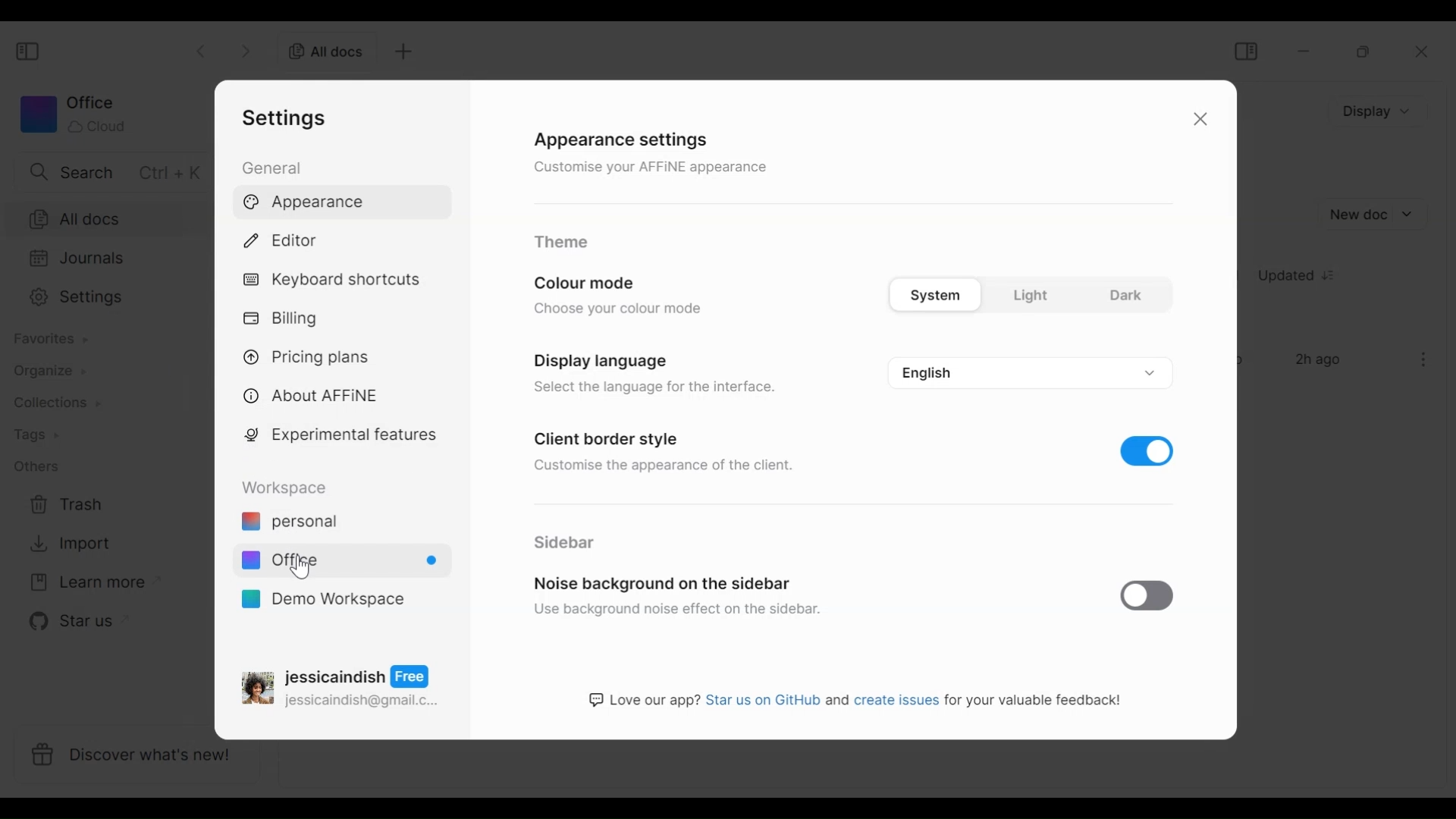 The height and width of the screenshot is (819, 1456). Describe the element at coordinates (312, 356) in the screenshot. I see `Pricing plans` at that location.